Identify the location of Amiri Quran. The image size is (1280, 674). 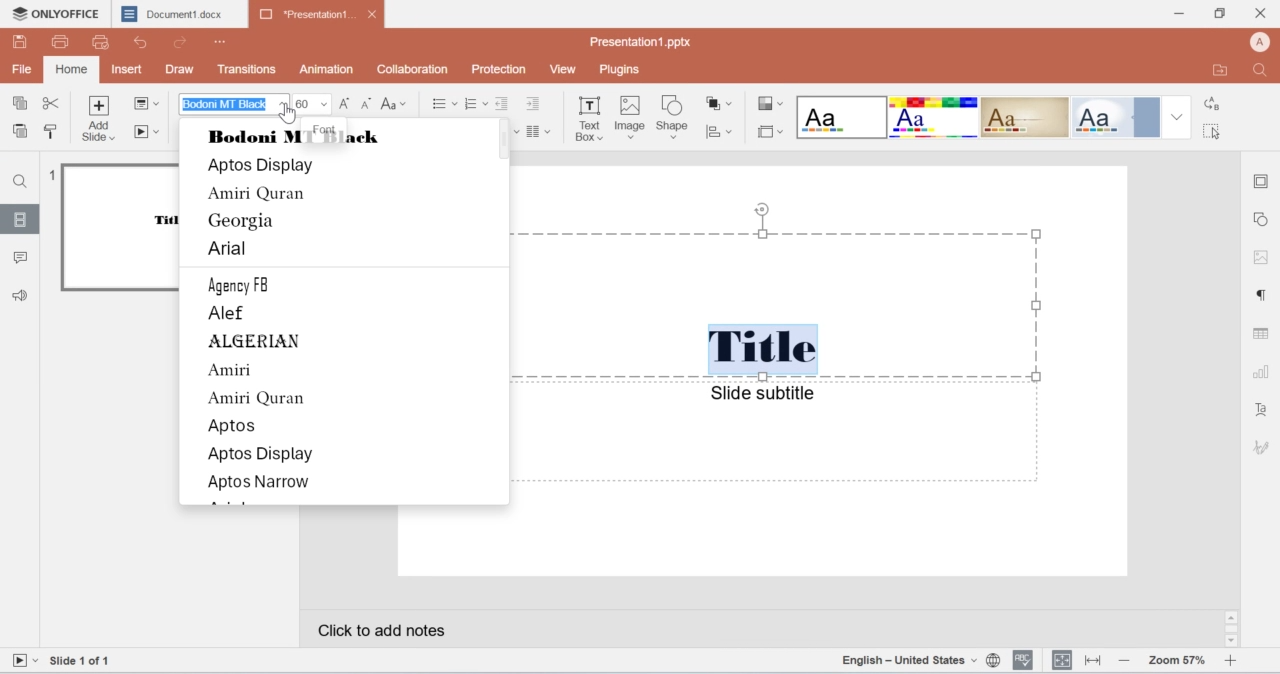
(255, 398).